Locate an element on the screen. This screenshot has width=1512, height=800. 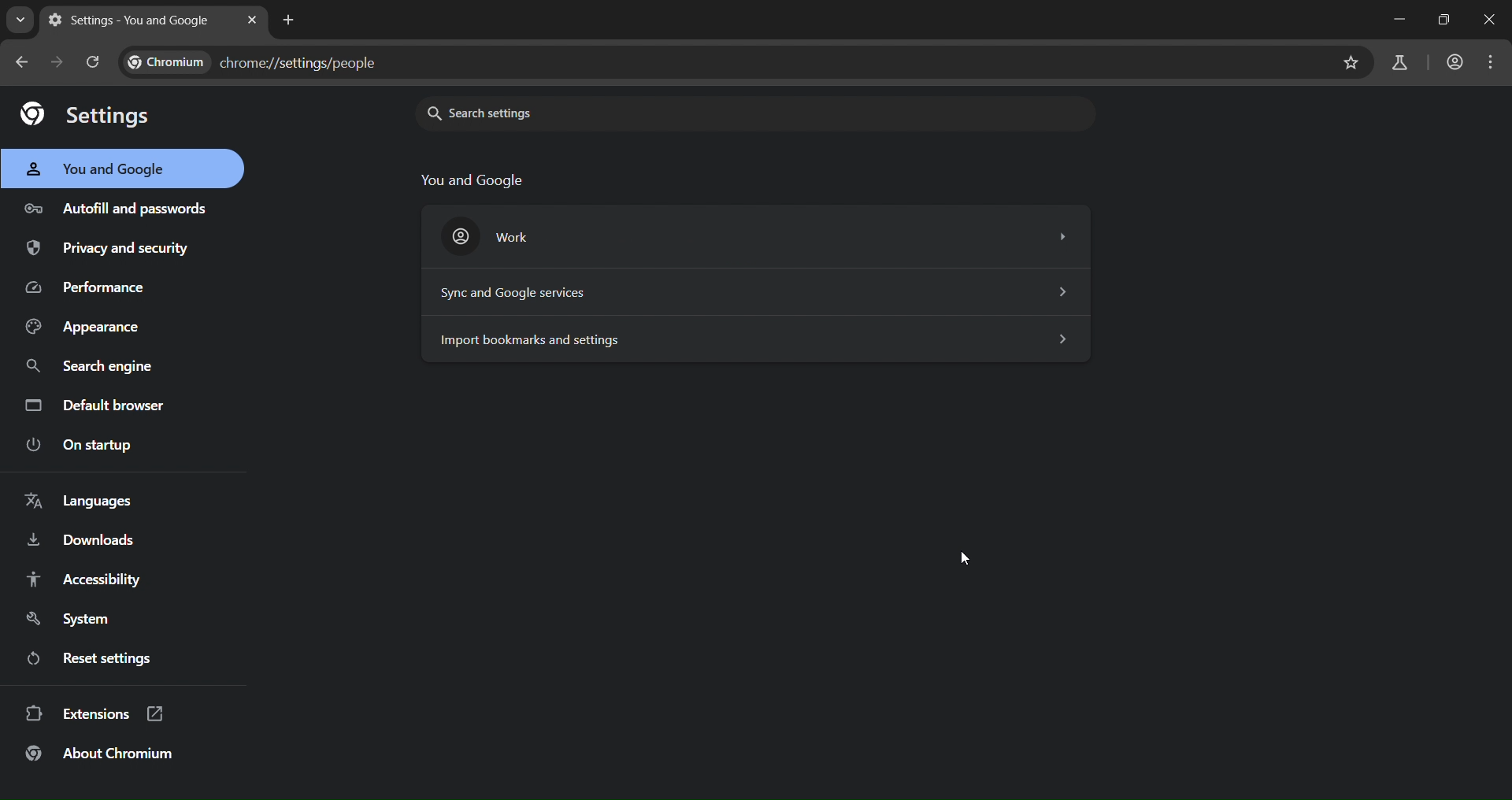
reset settings is located at coordinates (120, 659).